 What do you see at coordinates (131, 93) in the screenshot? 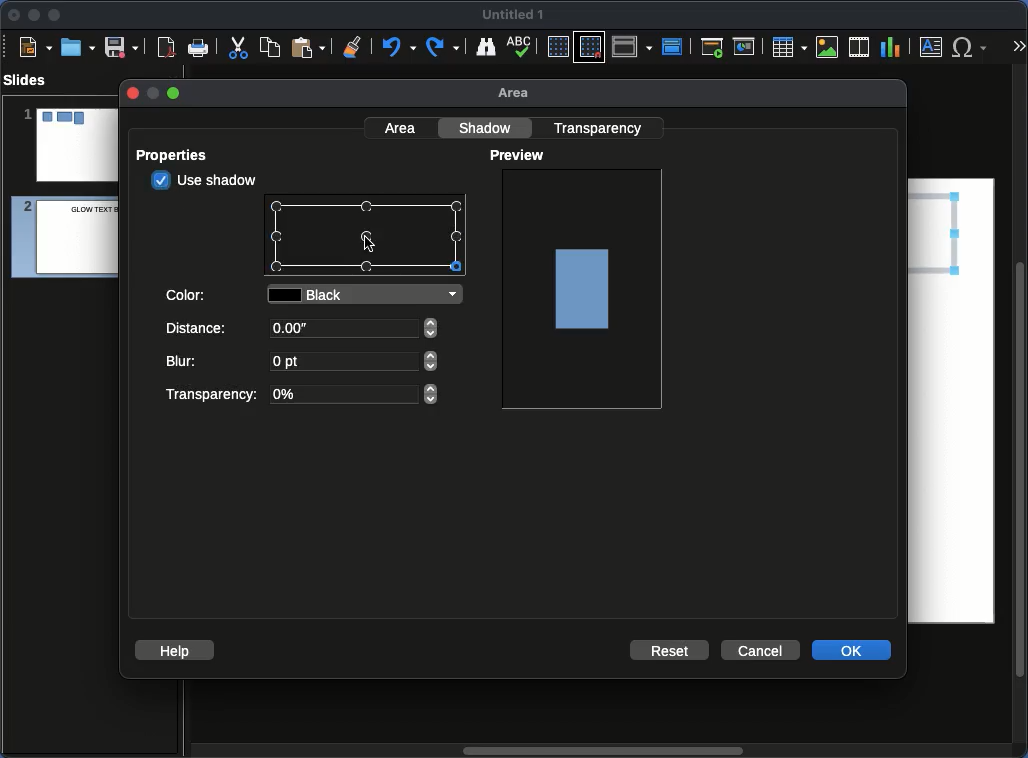
I see `close` at bounding box center [131, 93].